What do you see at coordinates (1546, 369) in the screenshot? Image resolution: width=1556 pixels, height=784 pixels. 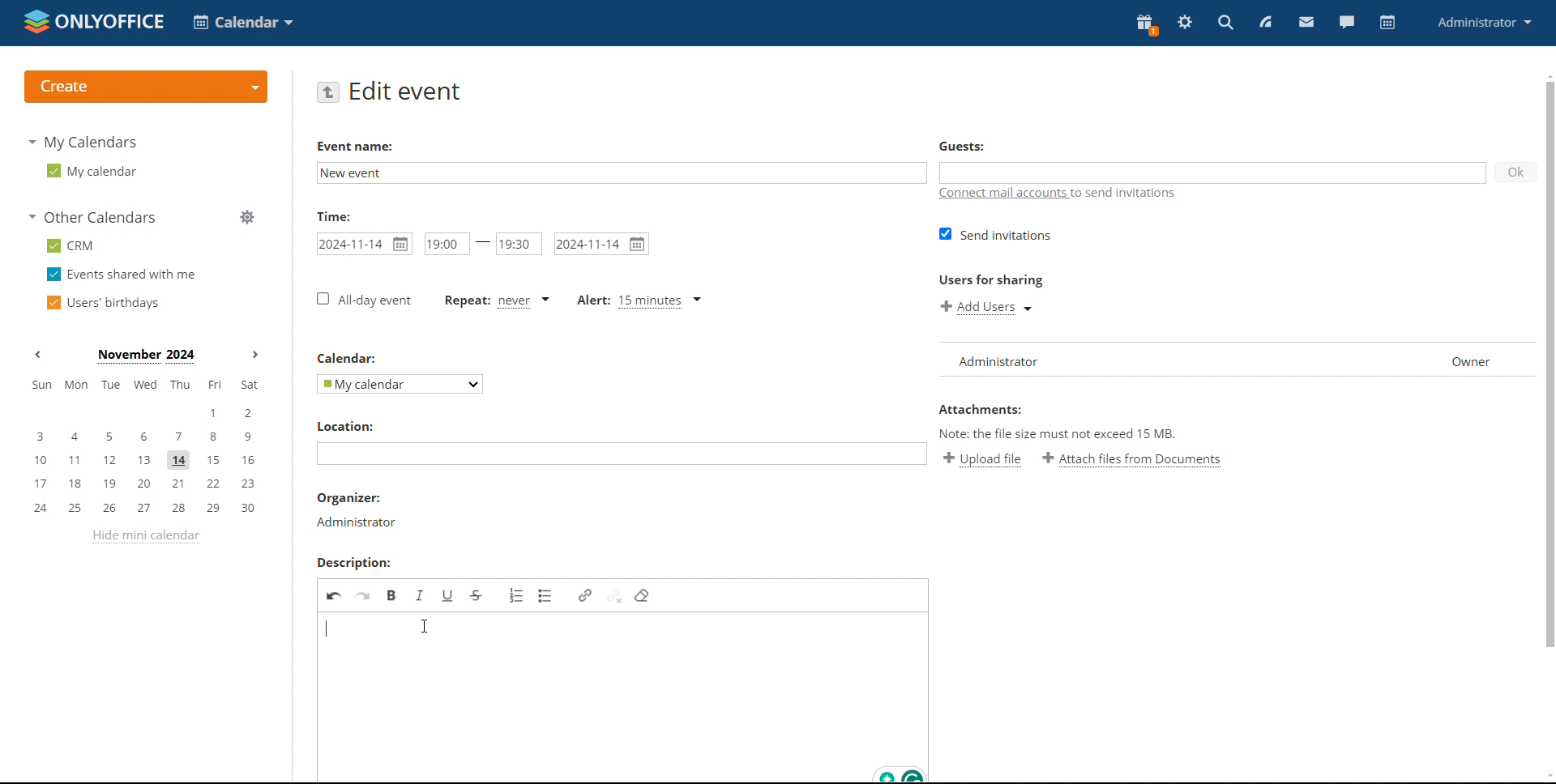 I see `scroll bar` at bounding box center [1546, 369].